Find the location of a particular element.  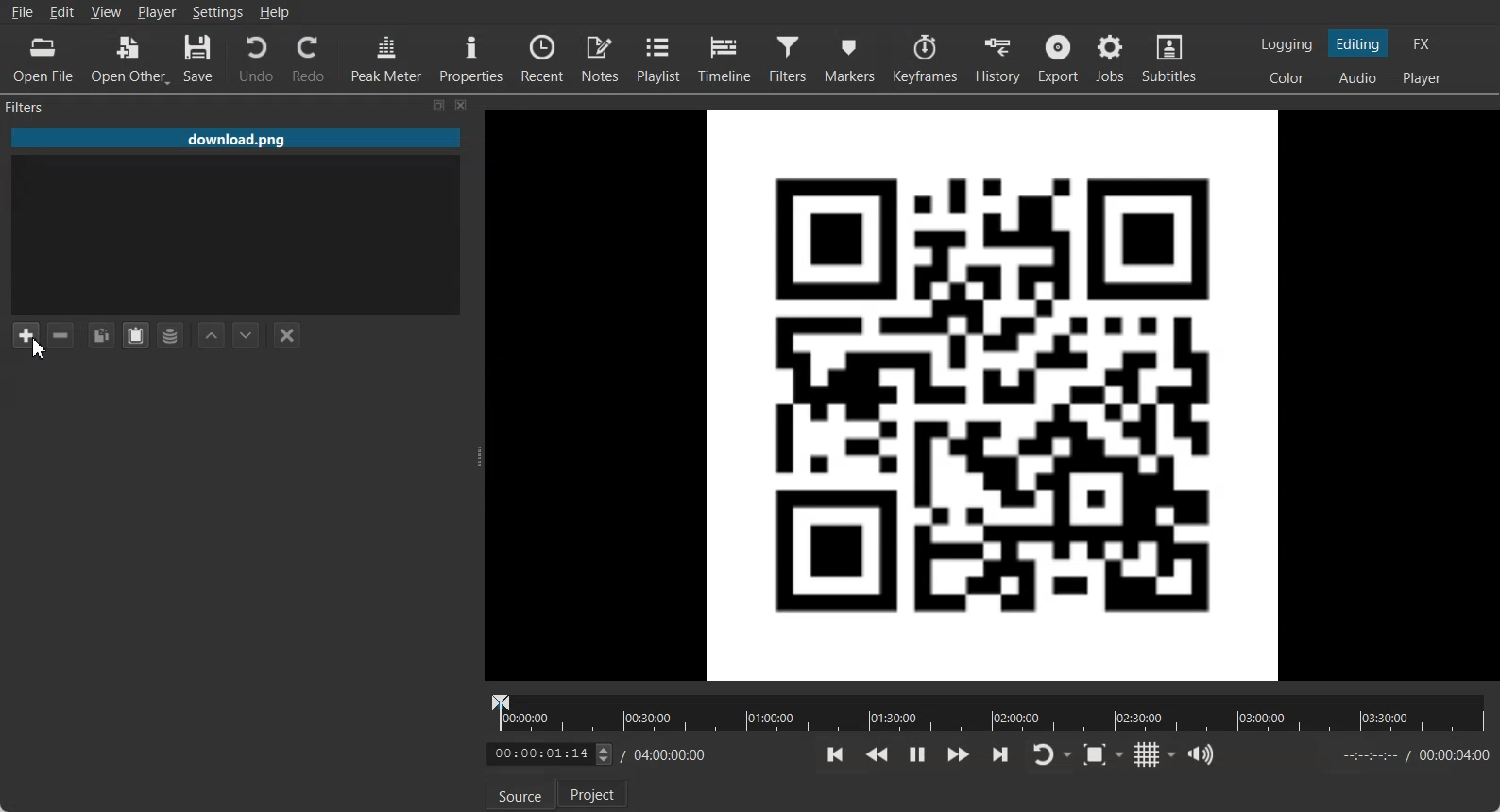

Jobs is located at coordinates (1112, 59).